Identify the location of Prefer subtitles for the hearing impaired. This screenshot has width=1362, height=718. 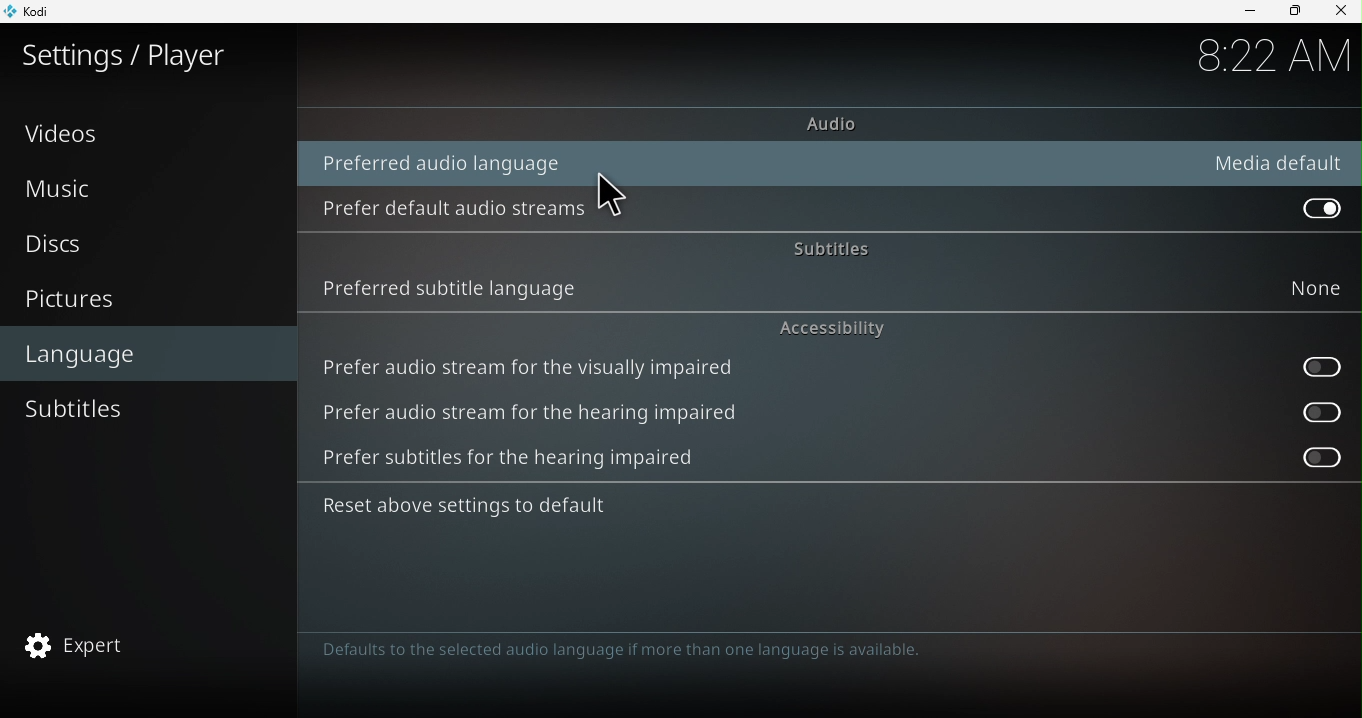
(531, 462).